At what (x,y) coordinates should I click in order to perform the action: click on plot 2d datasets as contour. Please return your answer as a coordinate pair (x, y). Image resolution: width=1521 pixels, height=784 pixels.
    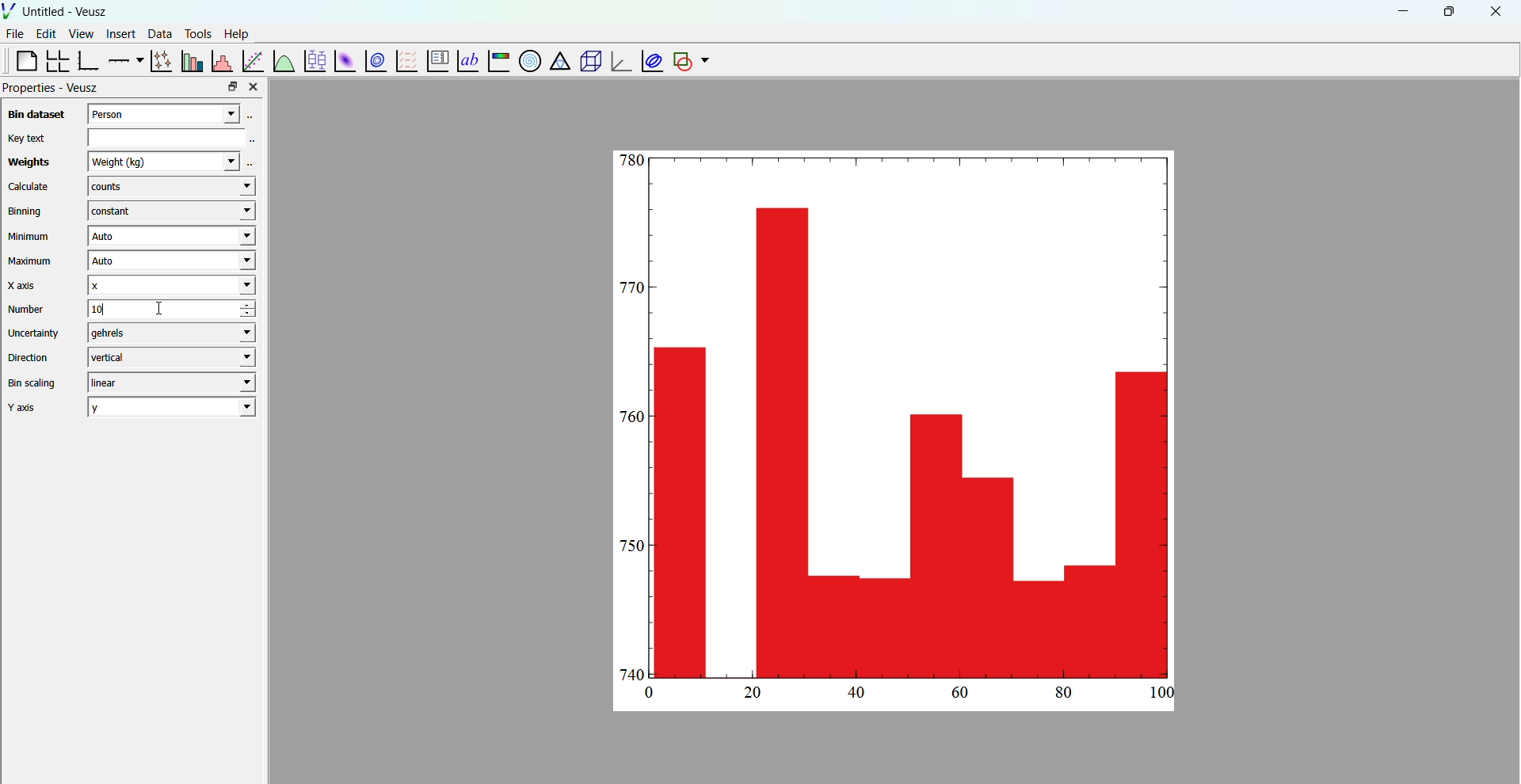
    Looking at the image, I should click on (376, 62).